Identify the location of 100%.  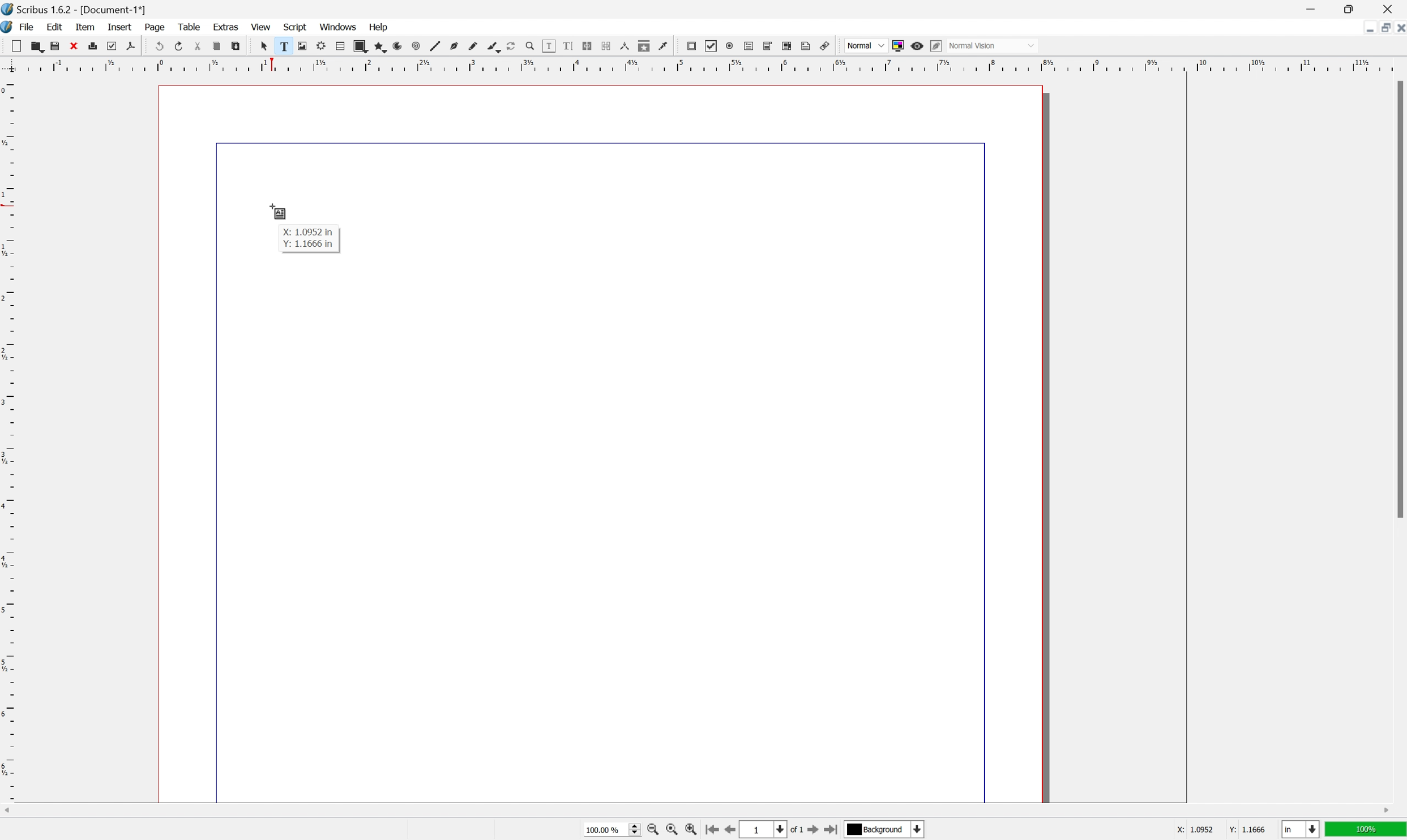
(1367, 832).